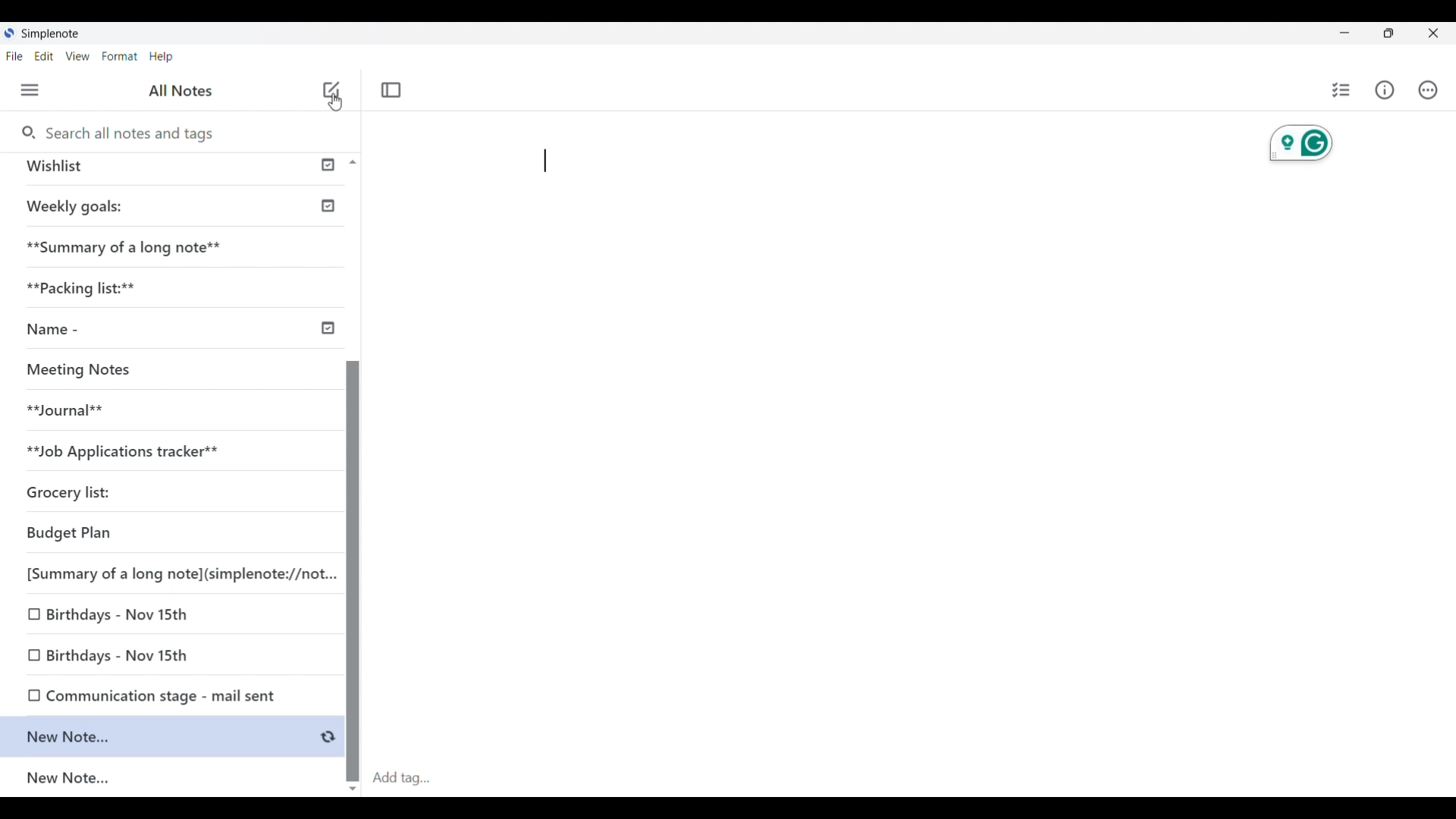  I want to click on Click to add tag, so click(905, 774).